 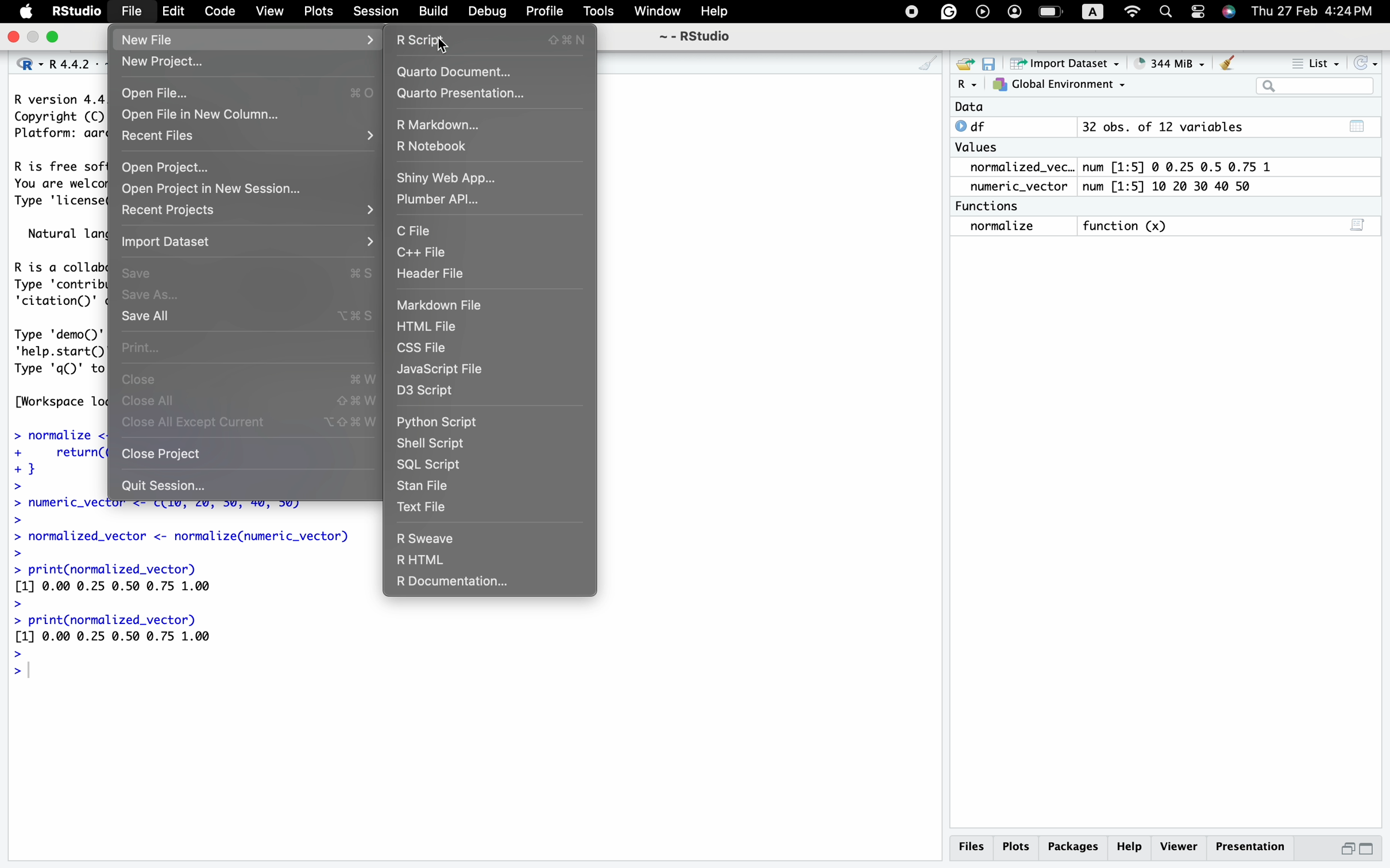 What do you see at coordinates (1368, 850) in the screenshot?
I see `maximize` at bounding box center [1368, 850].